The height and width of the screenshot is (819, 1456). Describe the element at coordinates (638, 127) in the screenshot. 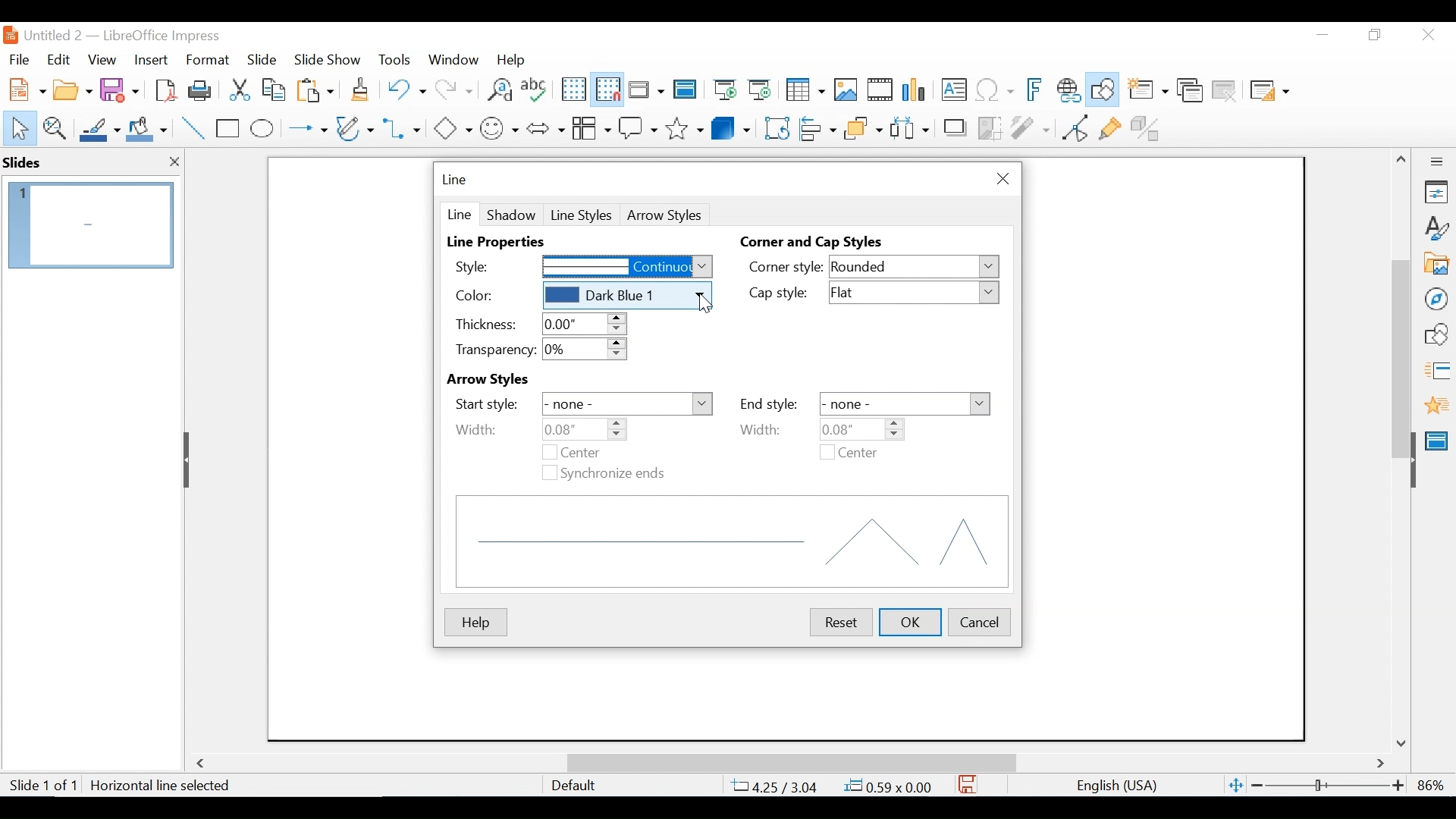

I see `Callout` at that location.